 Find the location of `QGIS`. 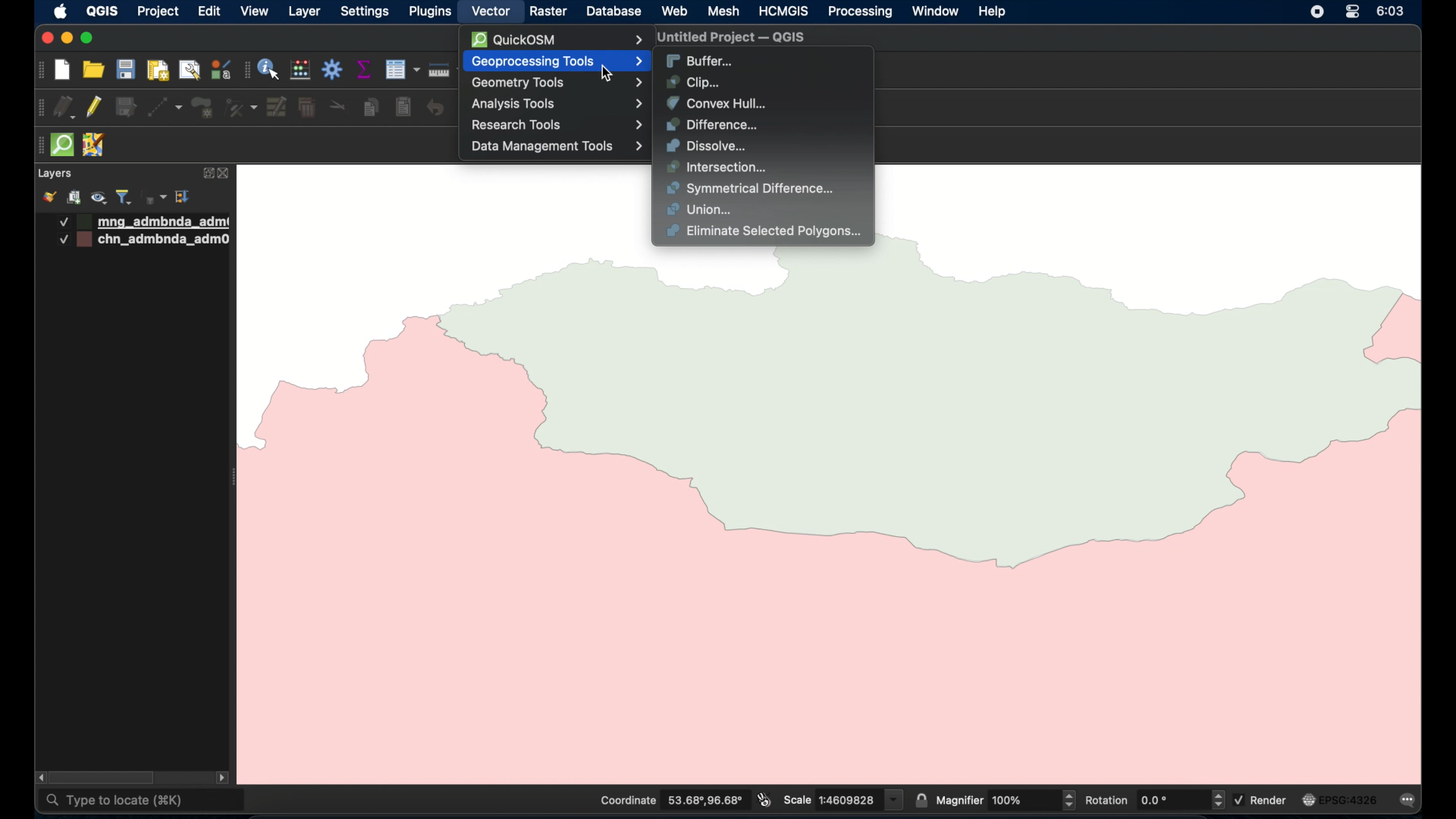

QGIS is located at coordinates (102, 11).